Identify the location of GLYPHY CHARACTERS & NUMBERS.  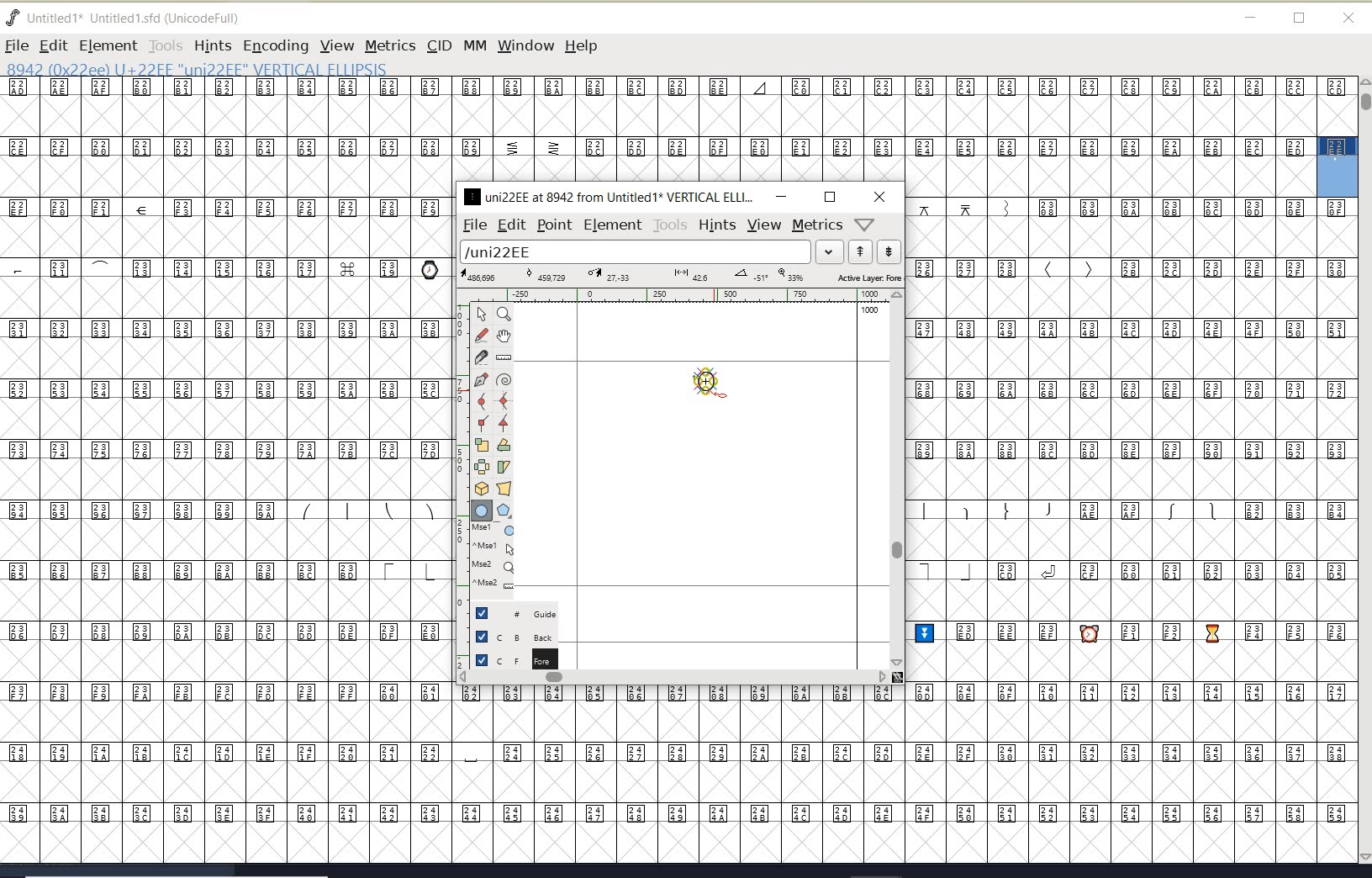
(657, 130).